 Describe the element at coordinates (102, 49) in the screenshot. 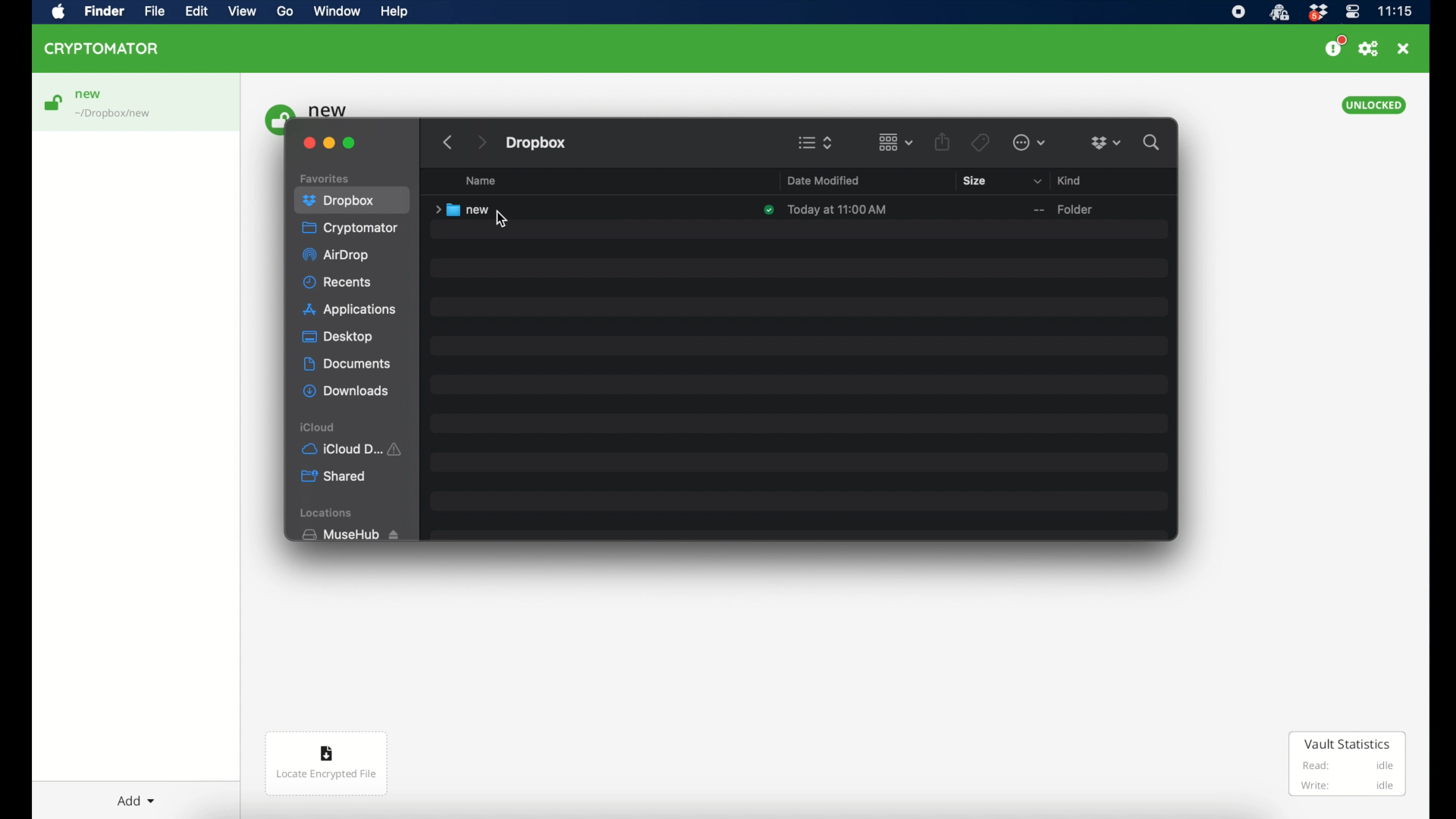

I see `cryptomator` at that location.